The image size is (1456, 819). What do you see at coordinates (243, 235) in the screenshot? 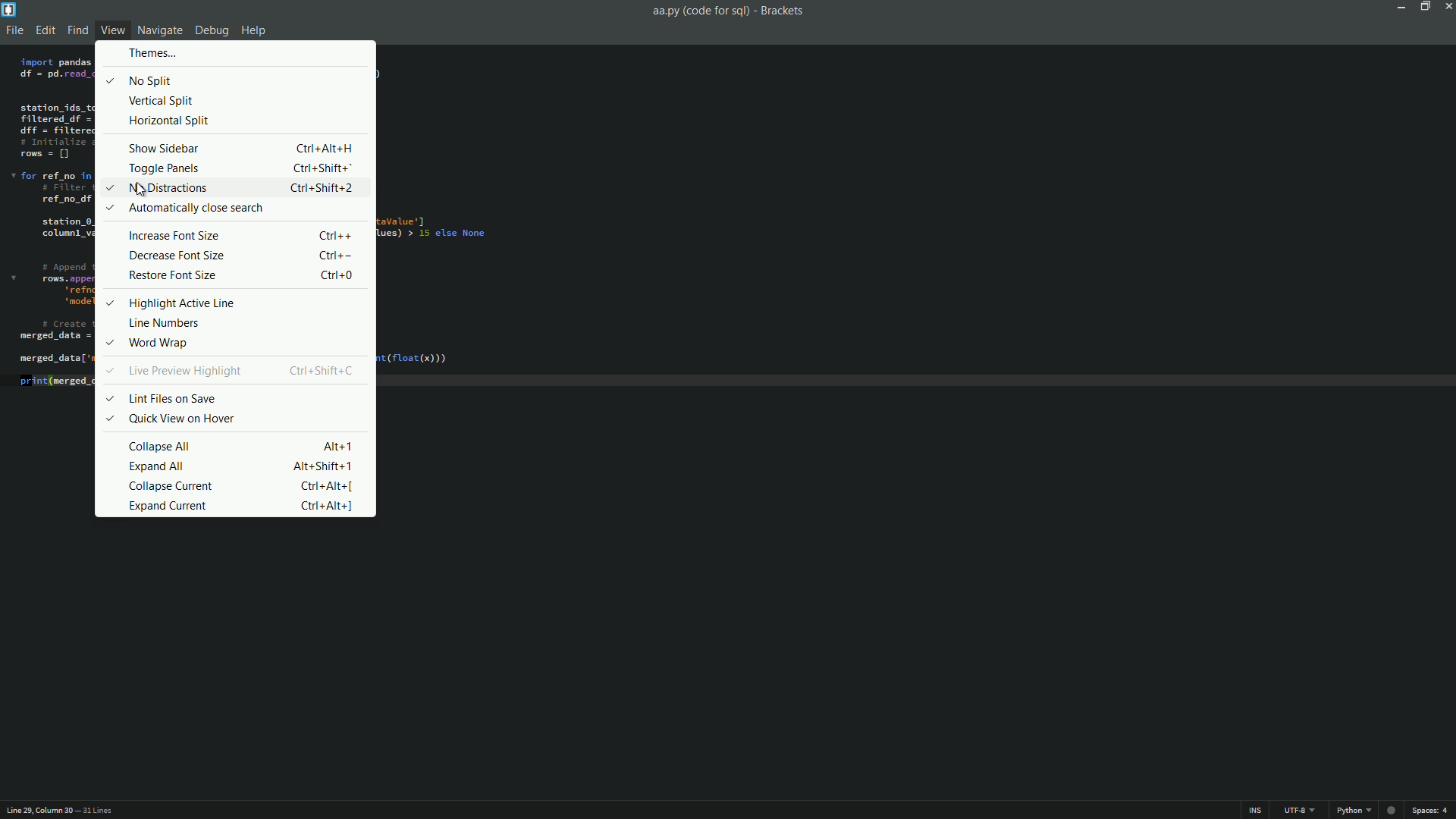
I see `Increase font size` at bounding box center [243, 235].